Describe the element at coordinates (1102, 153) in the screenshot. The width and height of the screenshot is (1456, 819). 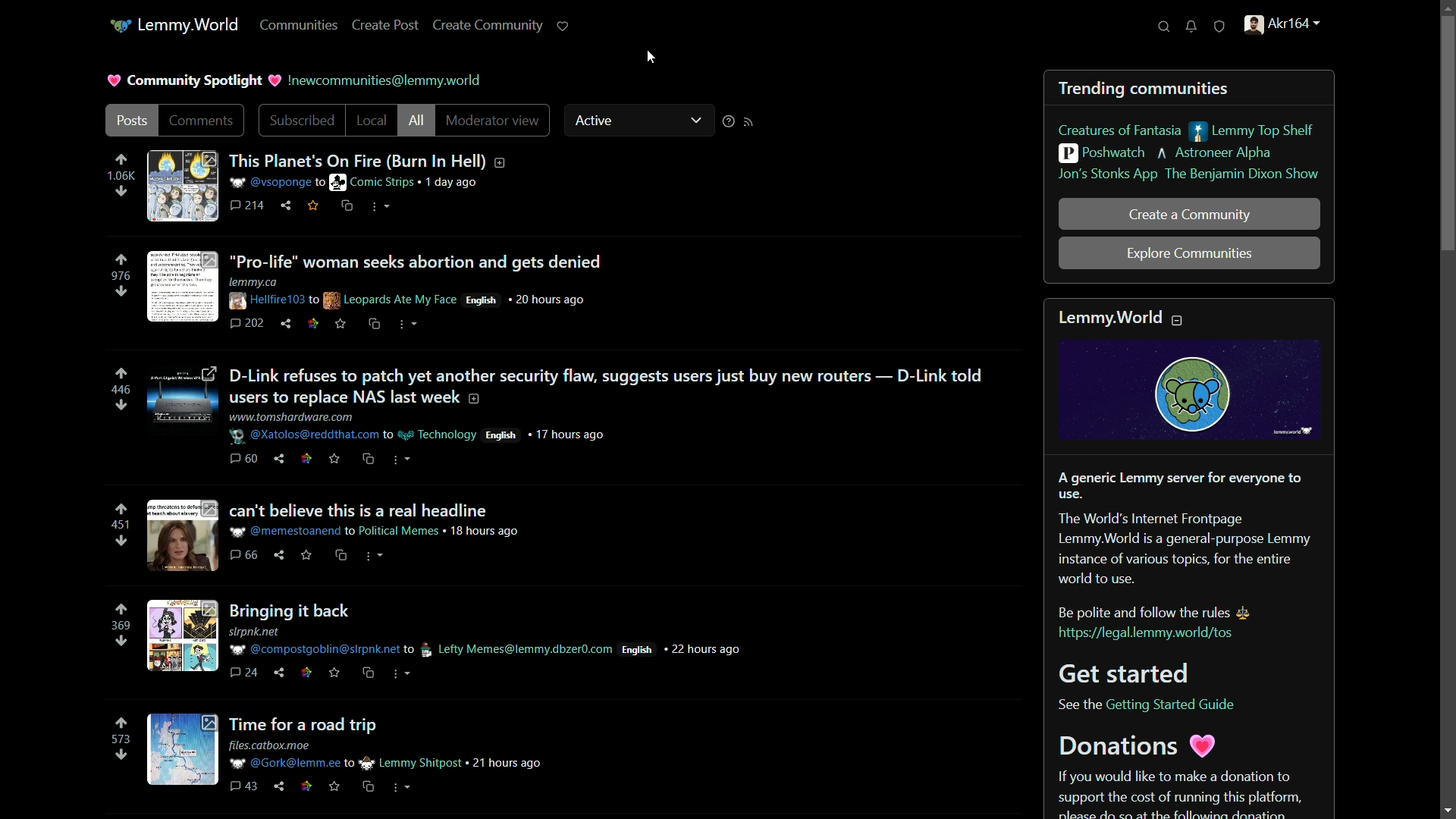
I see `poshwatch` at that location.